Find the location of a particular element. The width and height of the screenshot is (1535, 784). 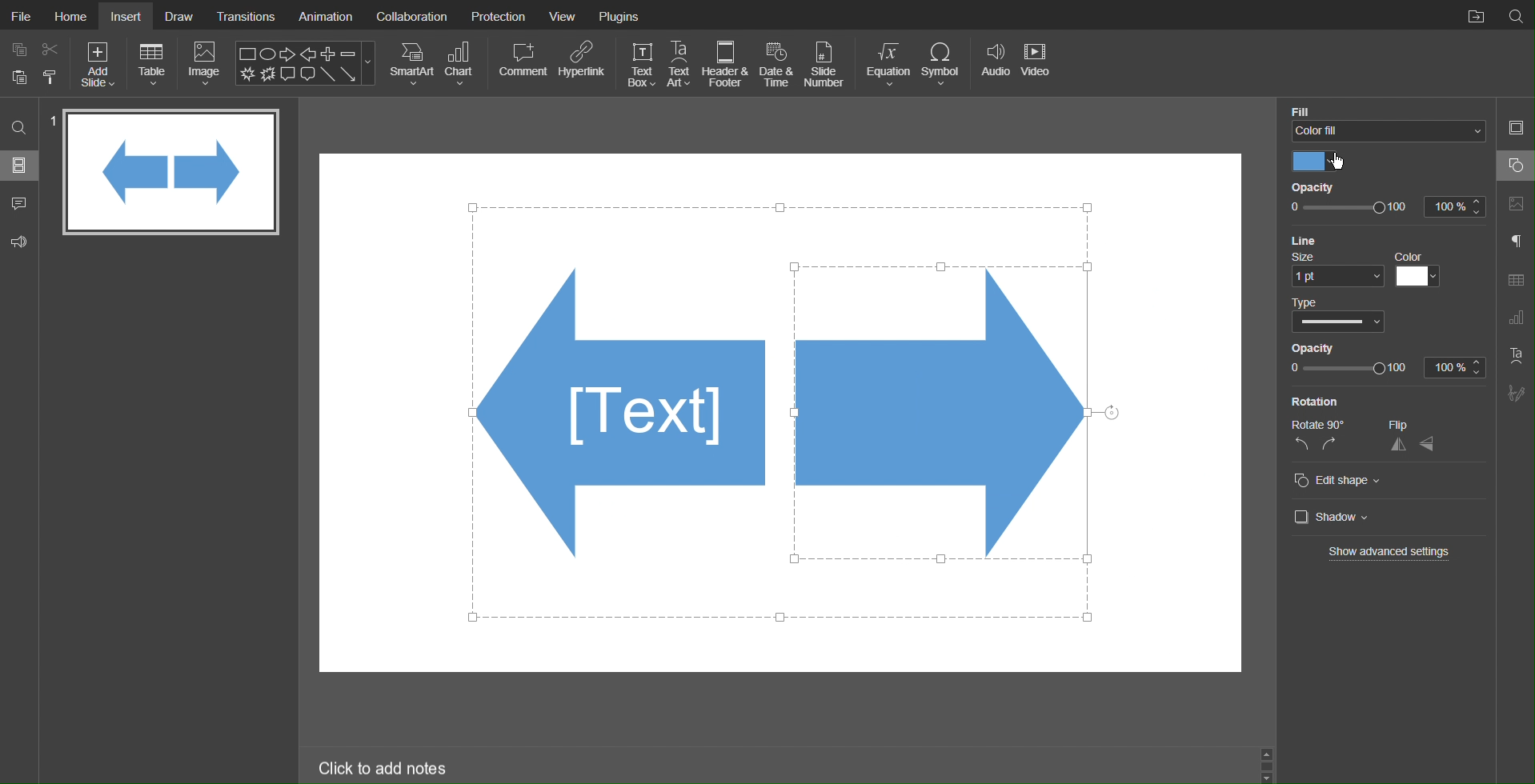

Add Slide is located at coordinates (100, 65).